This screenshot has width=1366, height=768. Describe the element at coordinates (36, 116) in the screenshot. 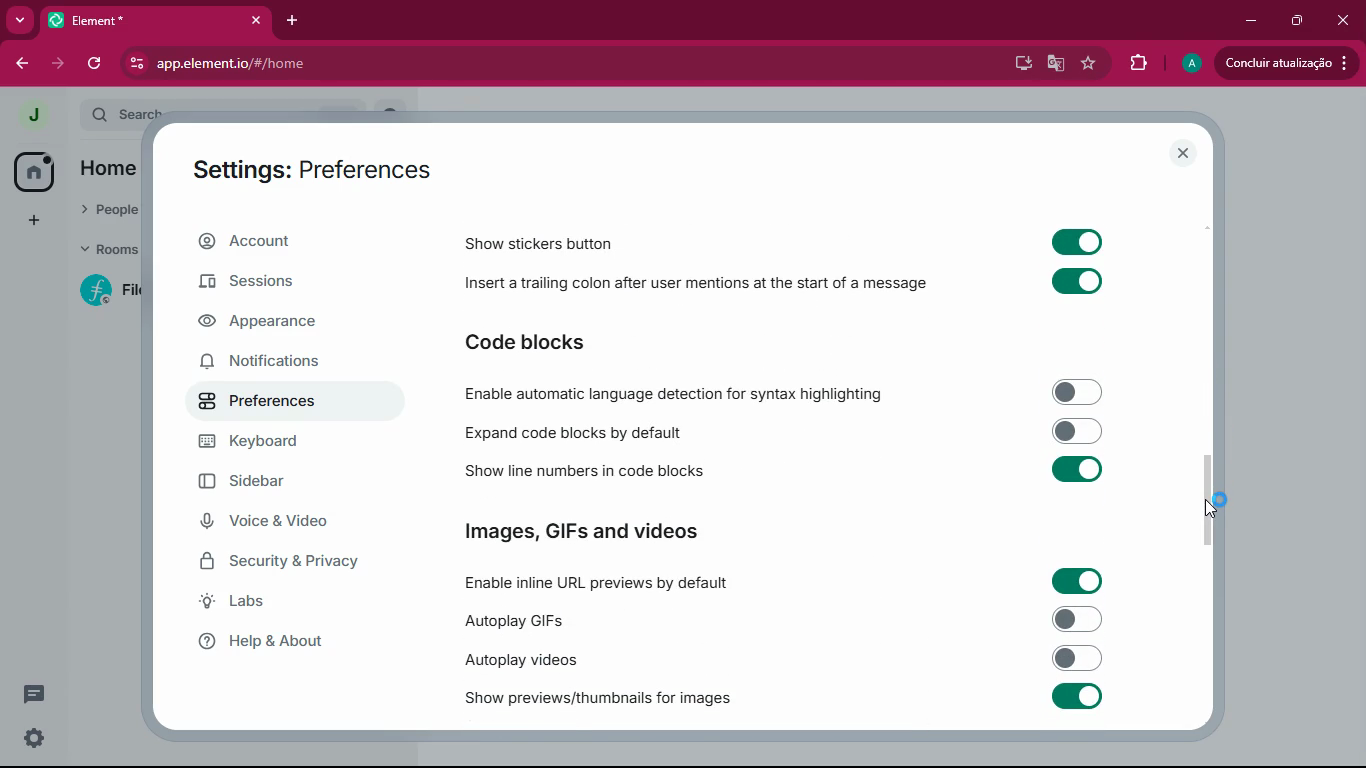

I see `profile picture` at that location.